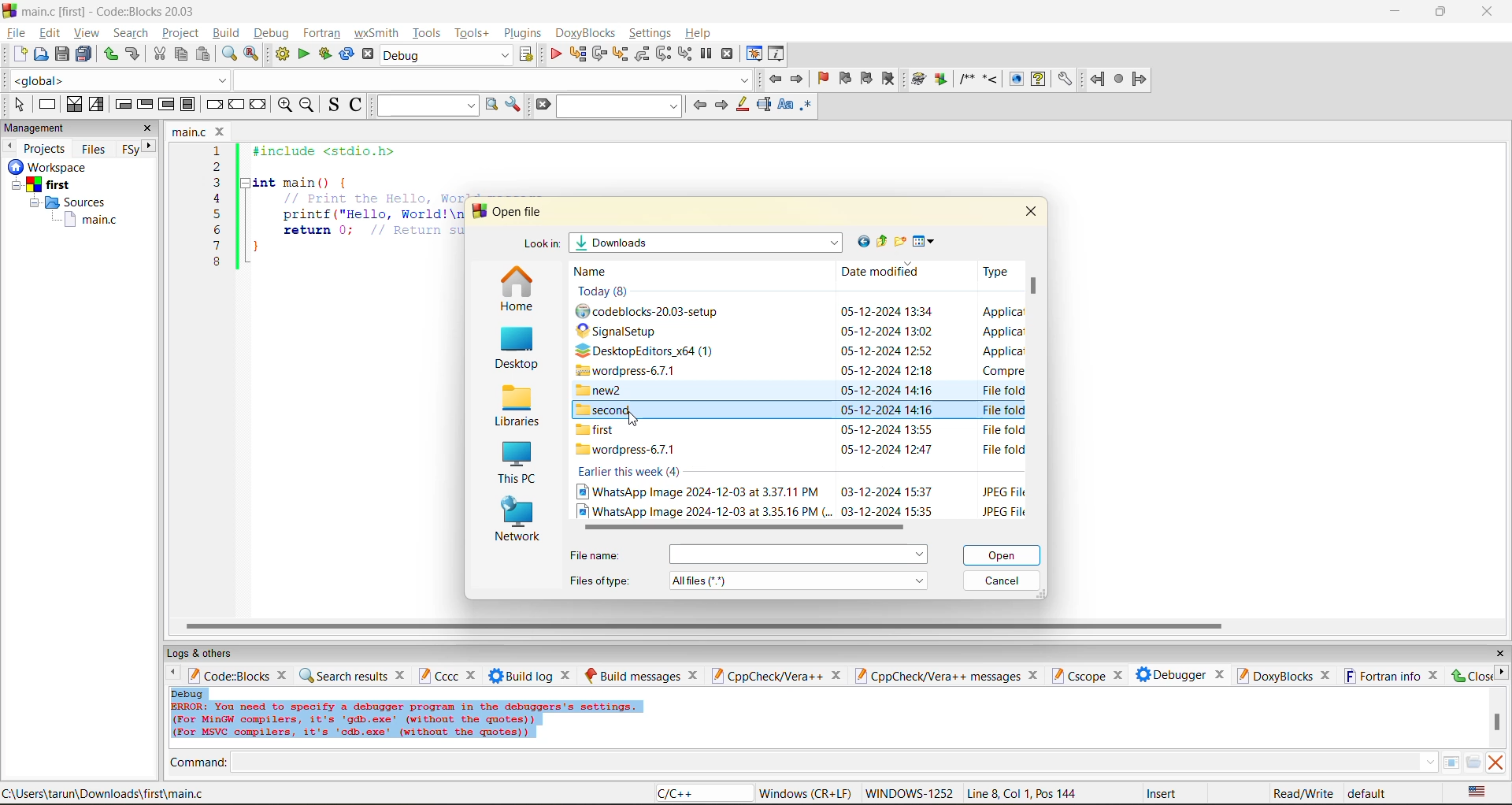  I want to click on next instruction, so click(663, 54).